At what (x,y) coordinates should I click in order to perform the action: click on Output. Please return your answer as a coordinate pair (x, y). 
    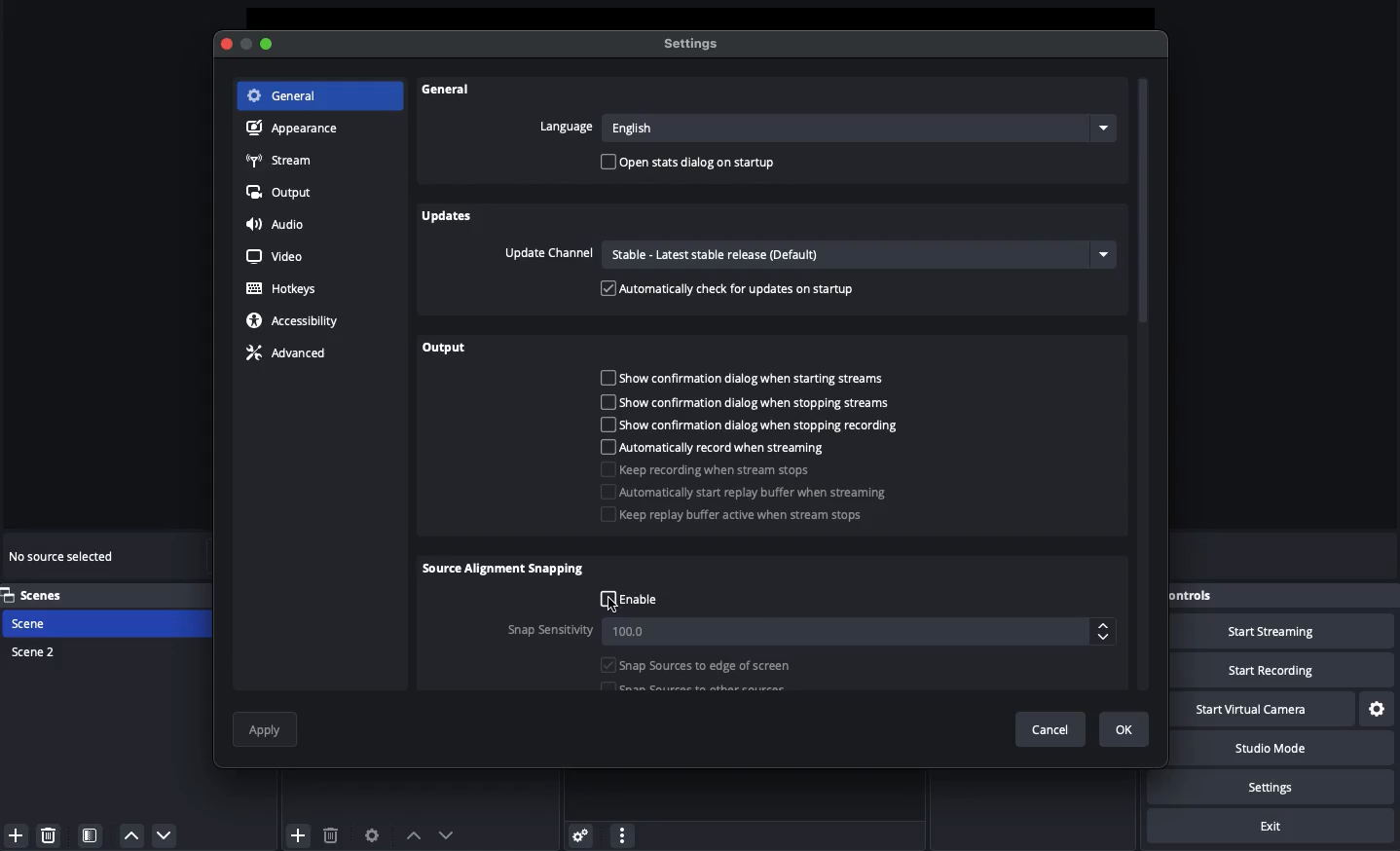
    Looking at the image, I should click on (282, 193).